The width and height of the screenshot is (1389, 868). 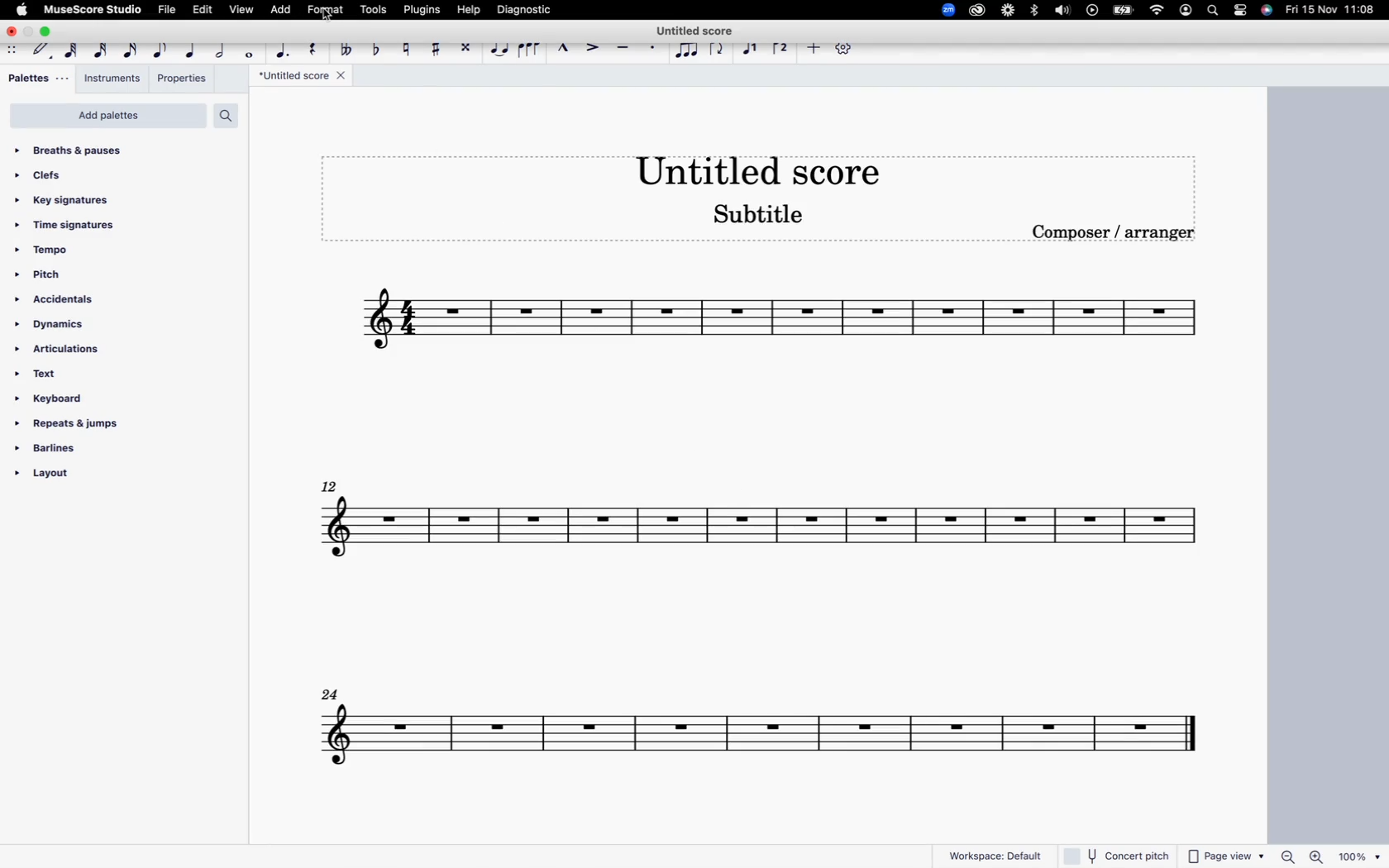 What do you see at coordinates (406, 46) in the screenshot?
I see `toggle natural` at bounding box center [406, 46].